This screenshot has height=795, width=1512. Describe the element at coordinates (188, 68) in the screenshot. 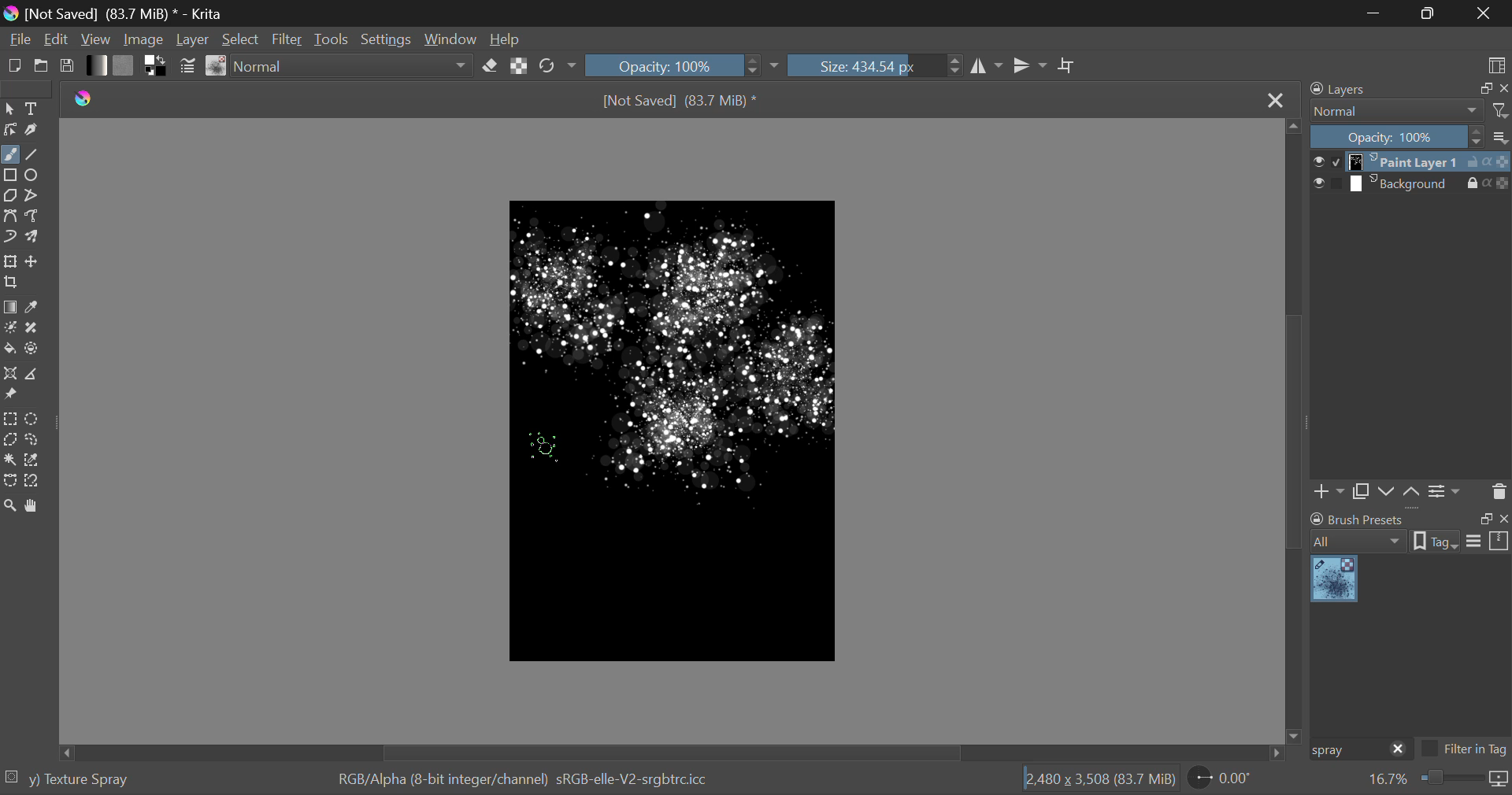

I see `Brush Settings` at that location.